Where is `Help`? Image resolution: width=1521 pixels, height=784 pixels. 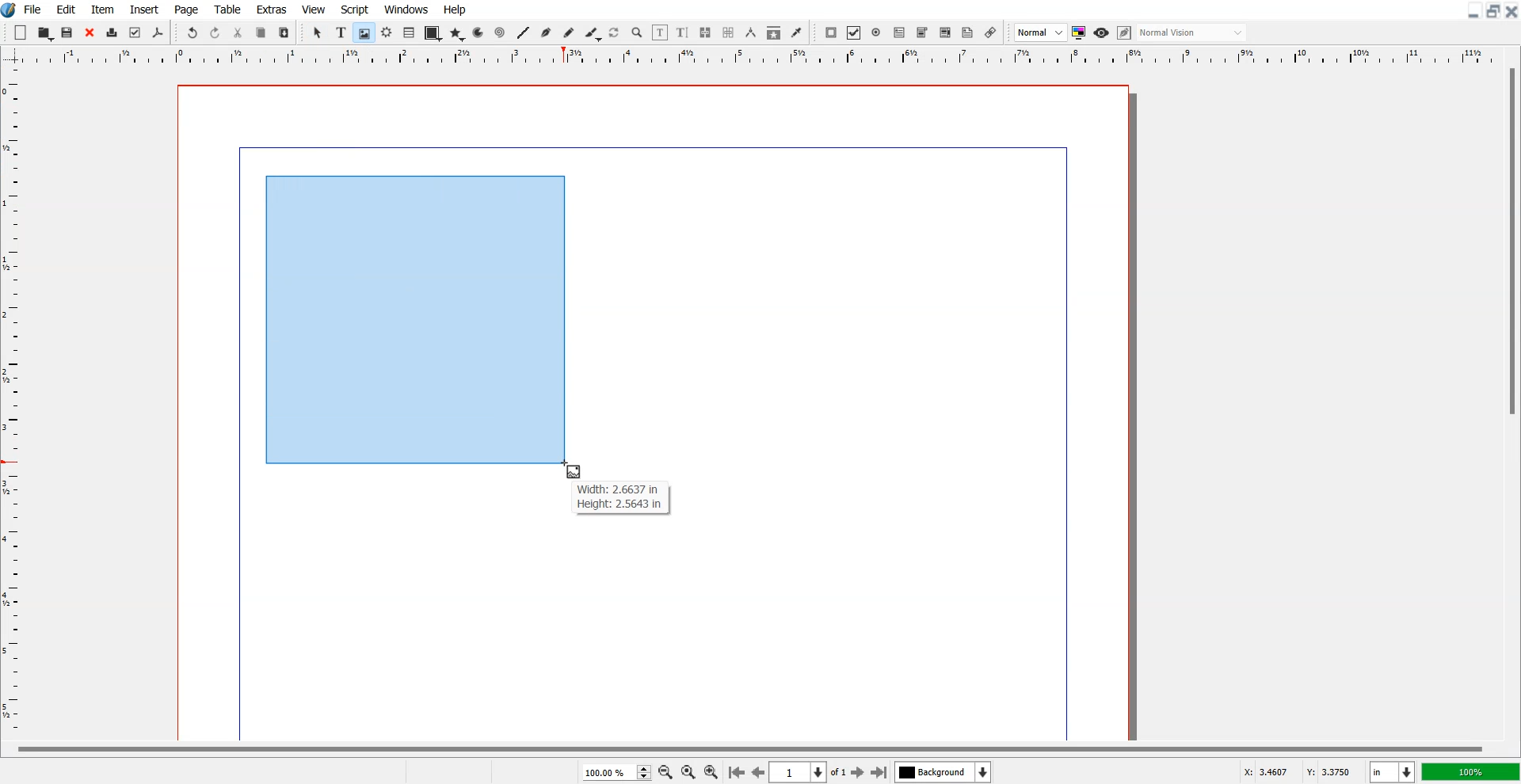 Help is located at coordinates (456, 10).